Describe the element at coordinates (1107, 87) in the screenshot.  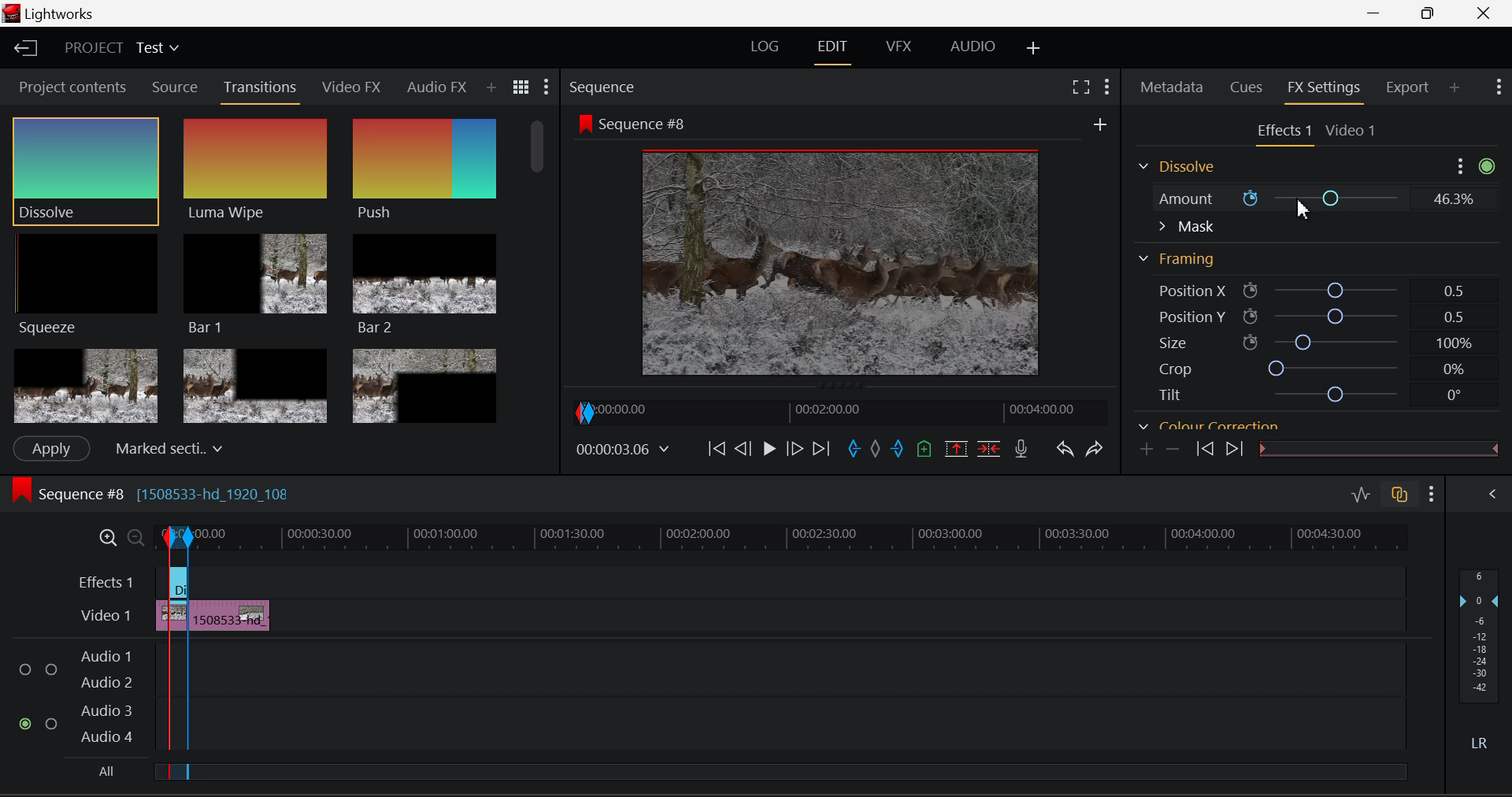
I see `Show Settings` at that location.